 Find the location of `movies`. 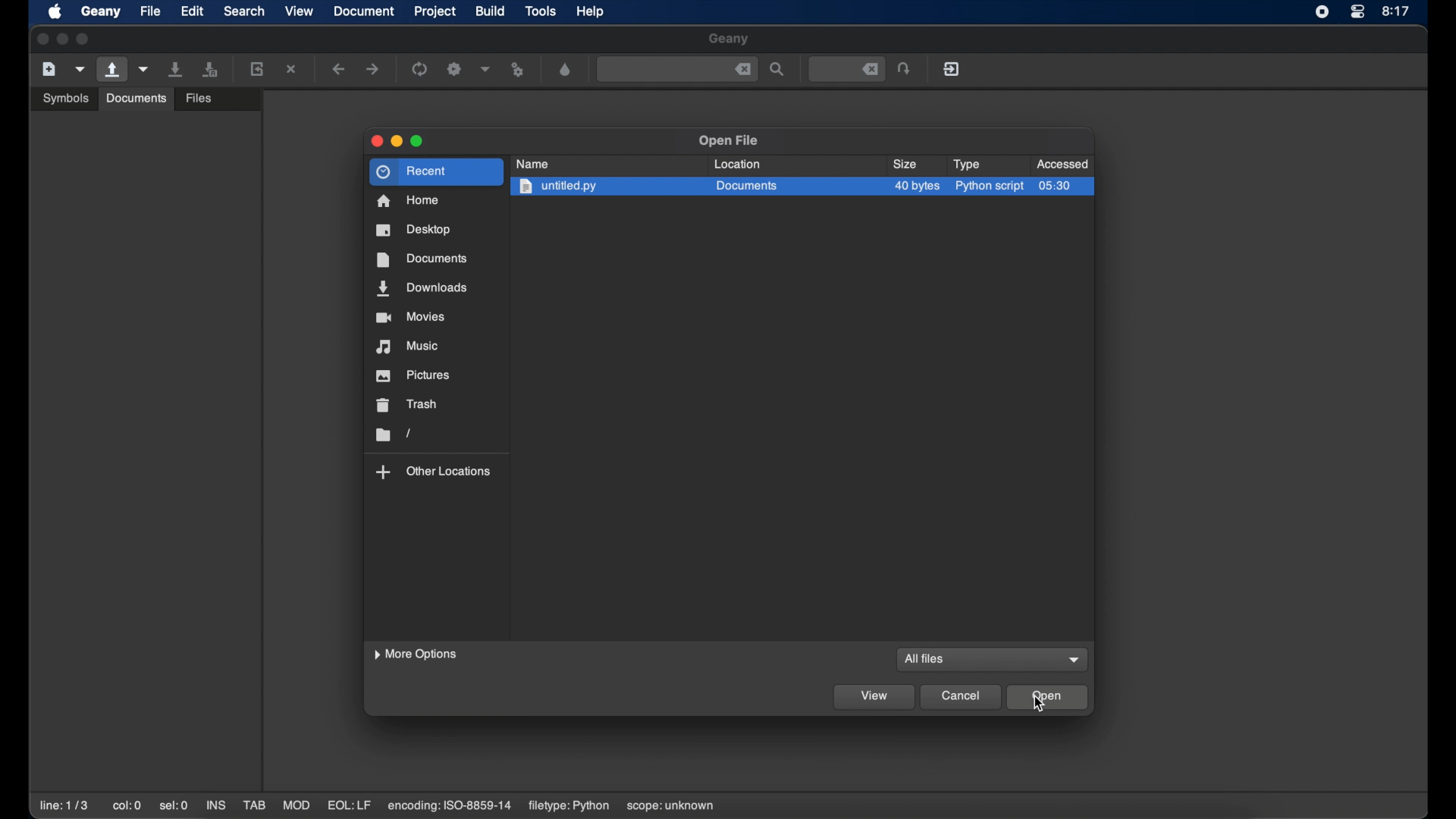

movies is located at coordinates (411, 317).